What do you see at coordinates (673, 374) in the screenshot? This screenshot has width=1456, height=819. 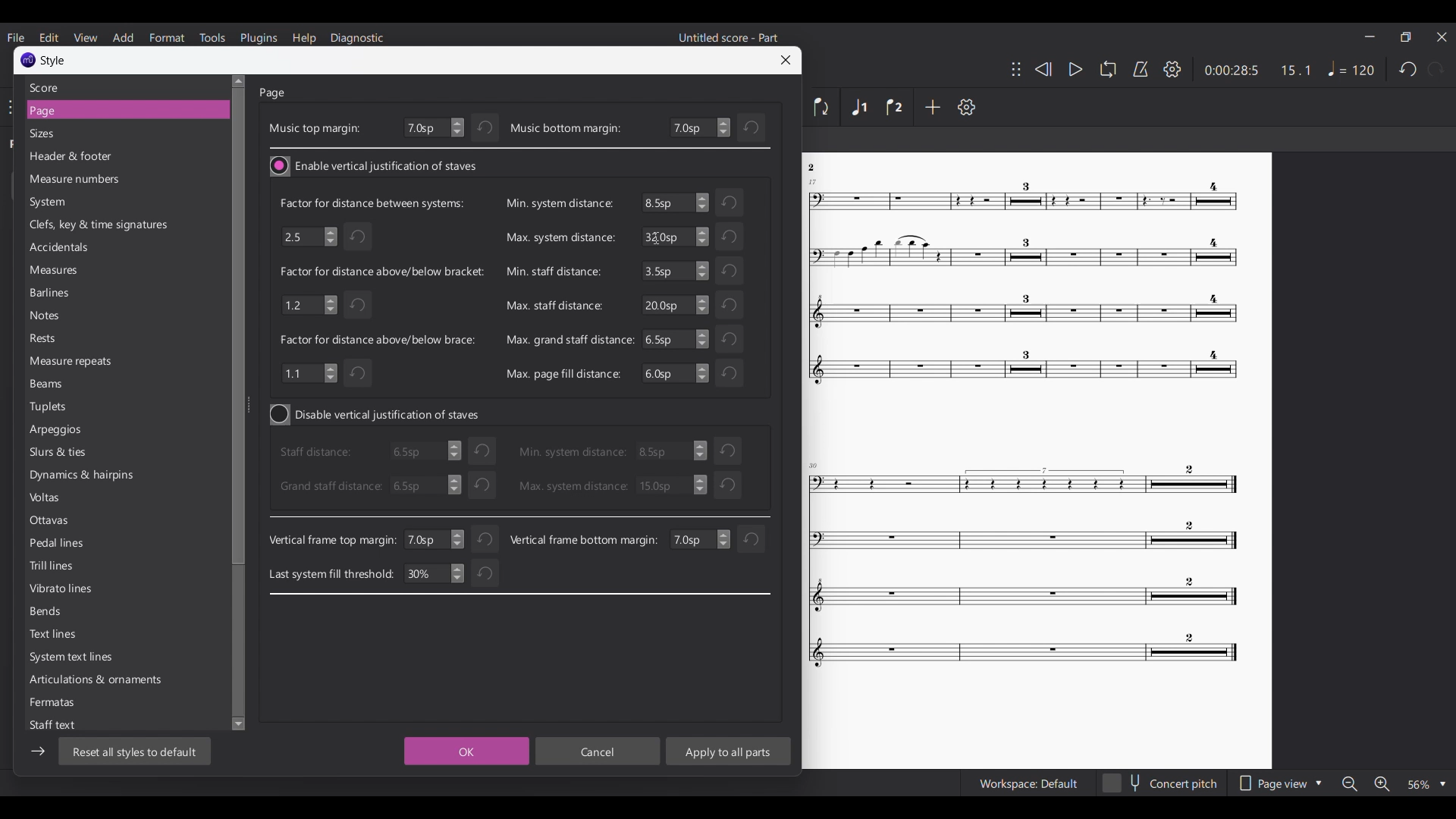 I see `6.5sp` at bounding box center [673, 374].